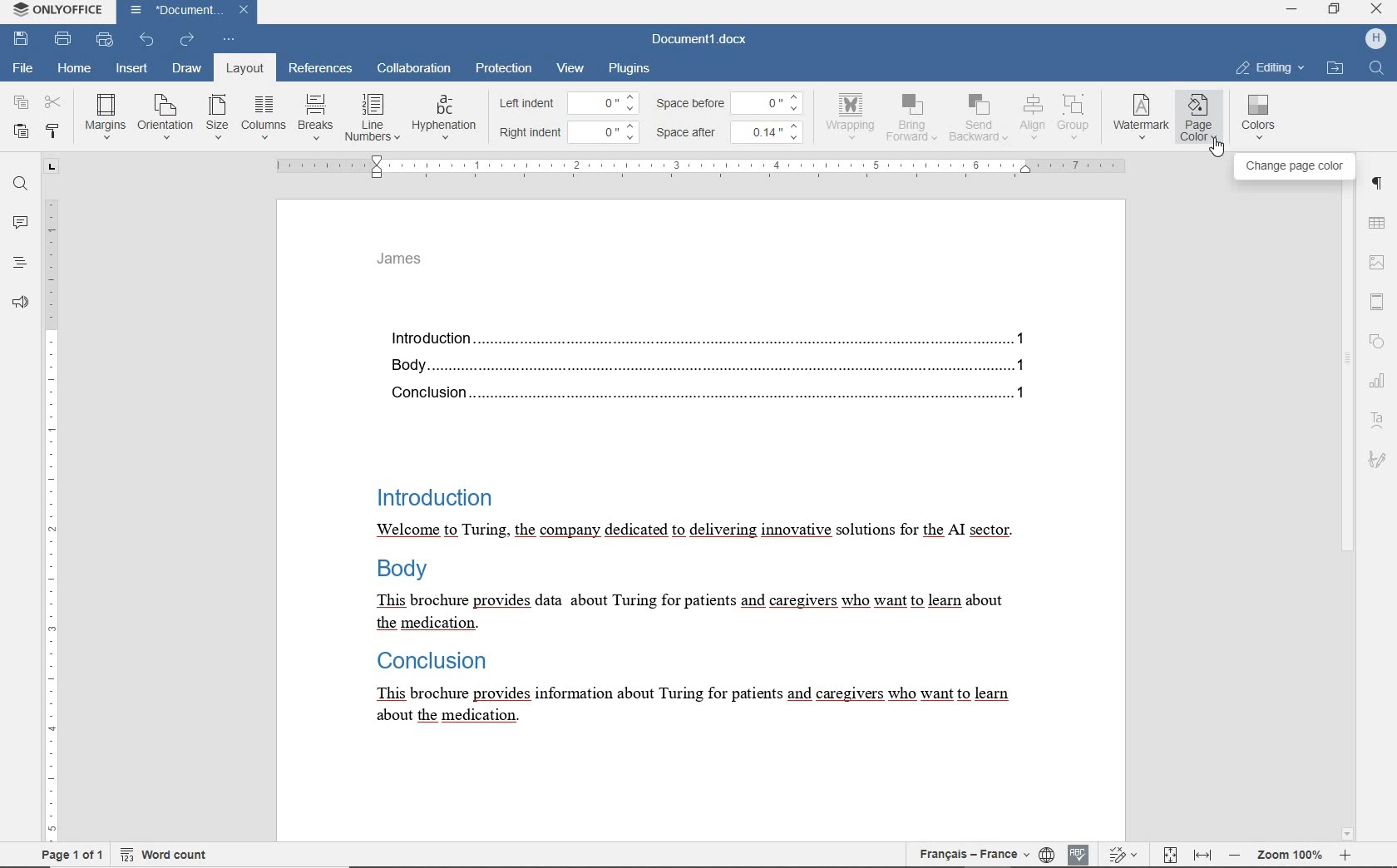 This screenshot has width=1397, height=868. Describe the element at coordinates (186, 40) in the screenshot. I see `redo` at that location.